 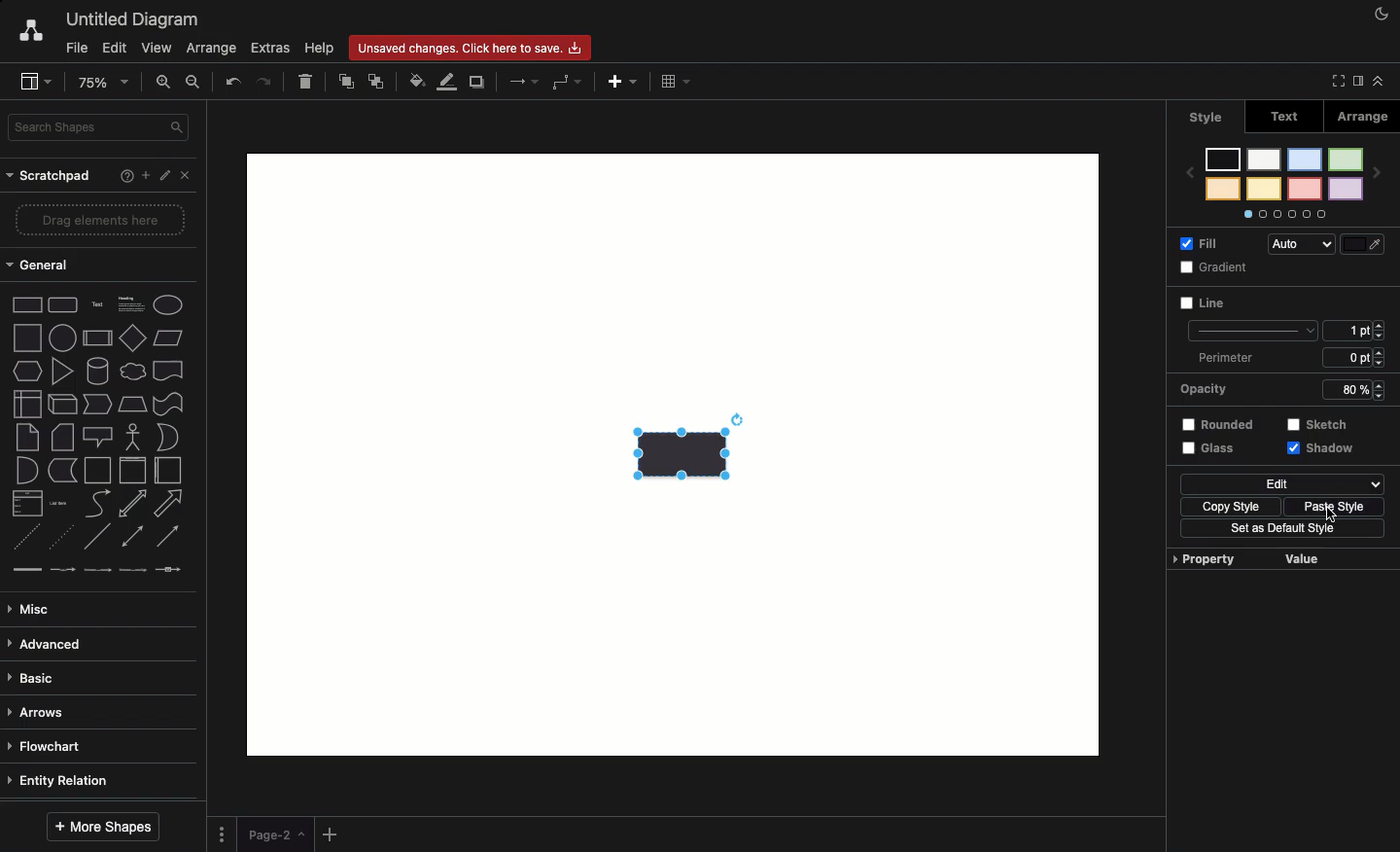 I want to click on color 8, so click(x=1222, y=189).